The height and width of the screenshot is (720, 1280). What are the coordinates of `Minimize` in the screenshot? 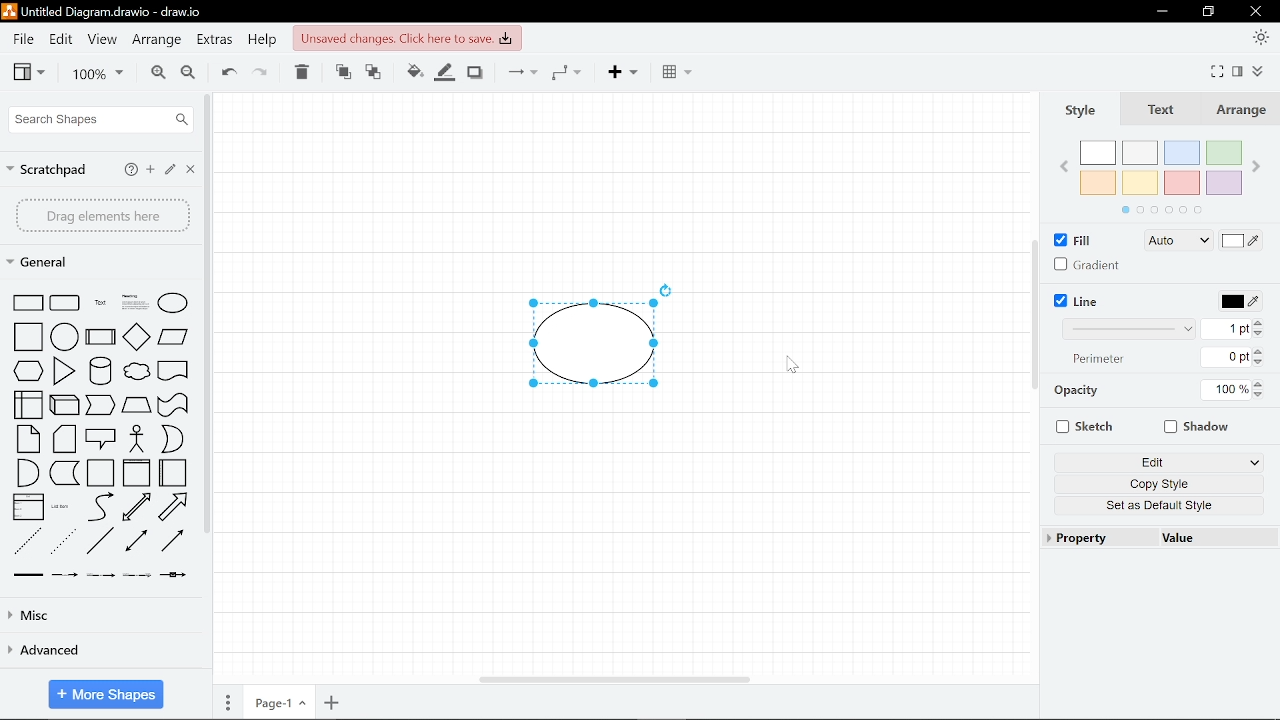 It's located at (1161, 12).